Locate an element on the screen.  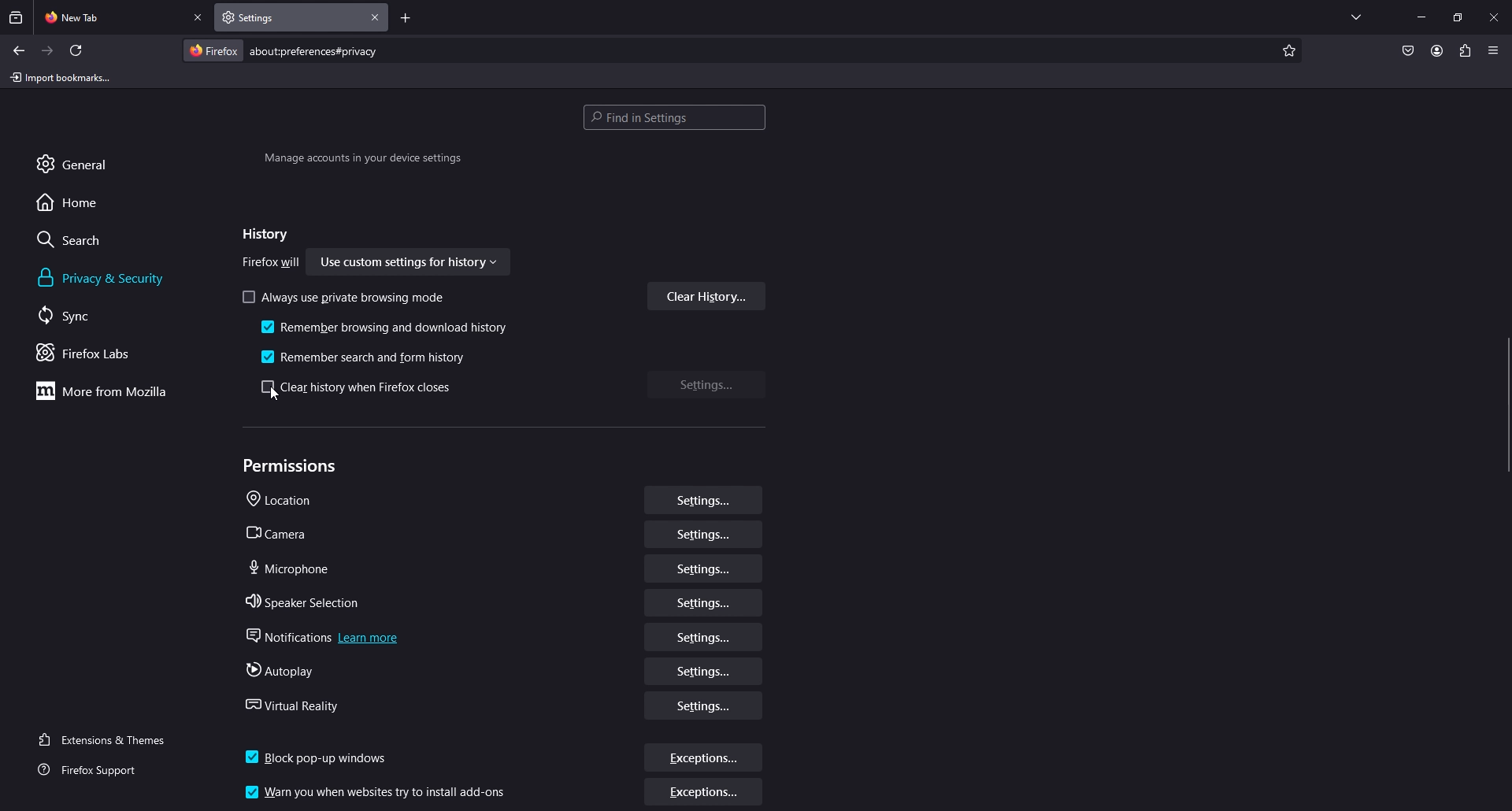
location is located at coordinates (286, 500).